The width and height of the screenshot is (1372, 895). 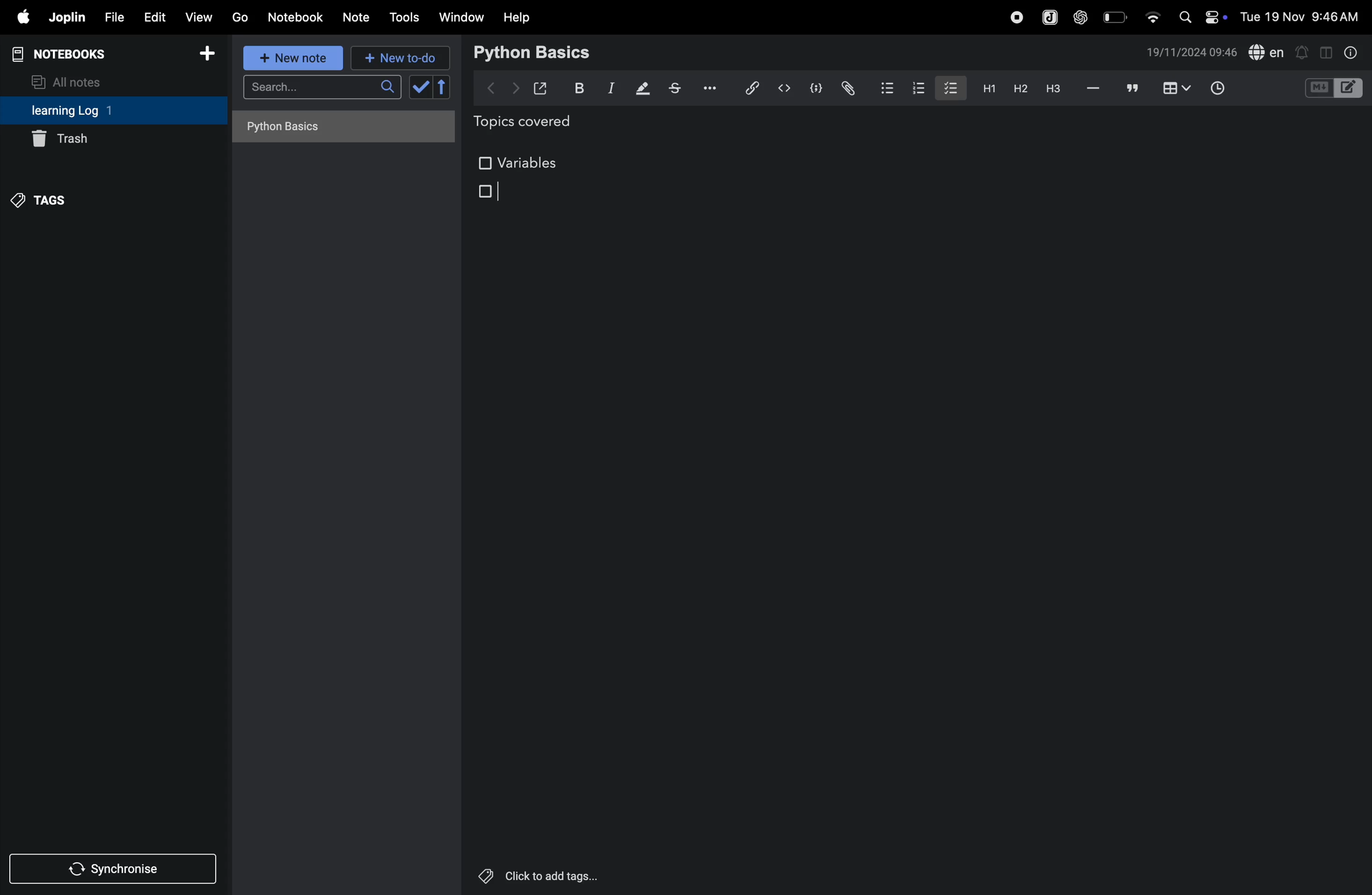 What do you see at coordinates (490, 190) in the screenshot?
I see `checkbox` at bounding box center [490, 190].